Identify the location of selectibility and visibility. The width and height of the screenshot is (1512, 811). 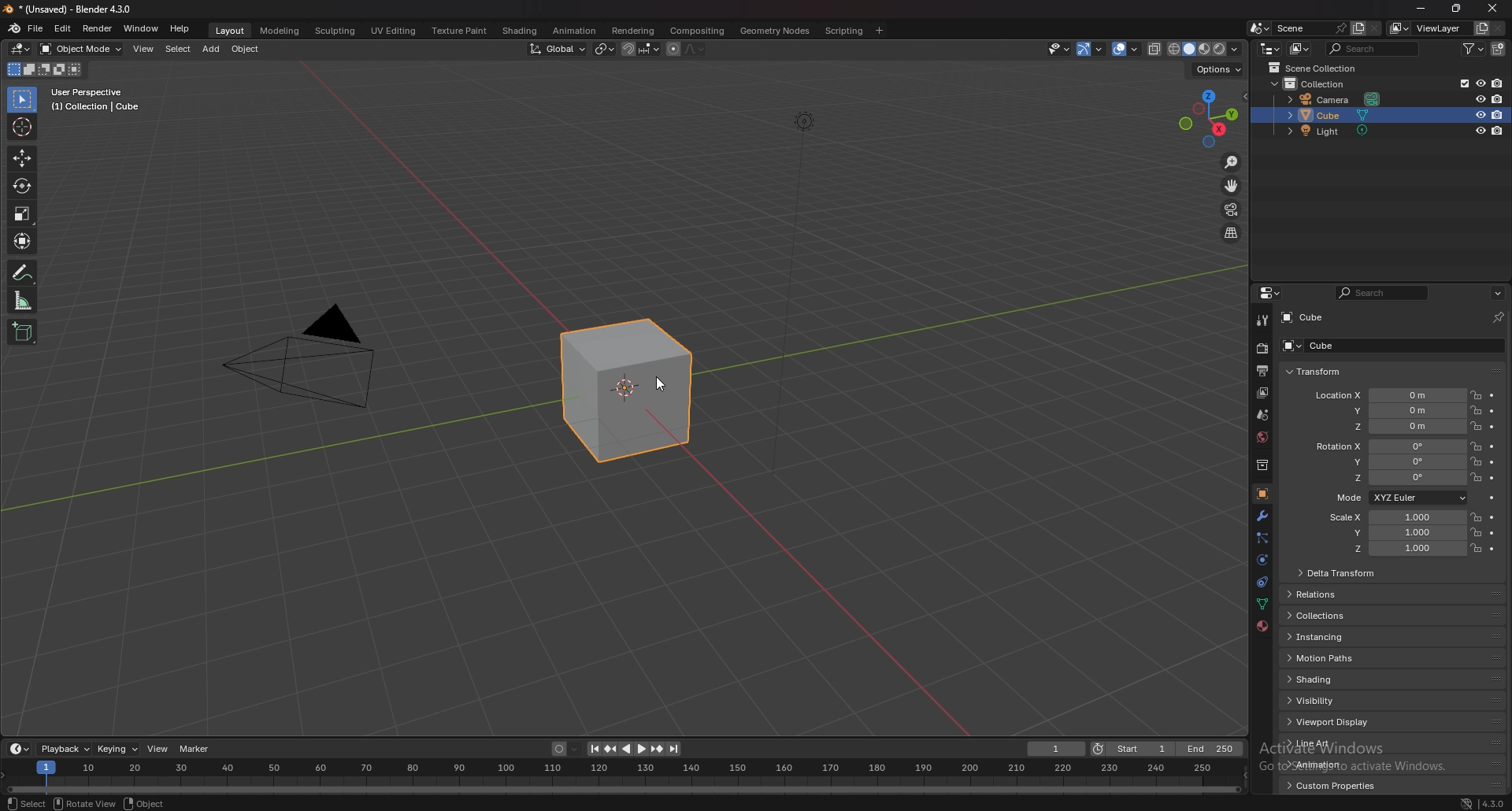
(1060, 50).